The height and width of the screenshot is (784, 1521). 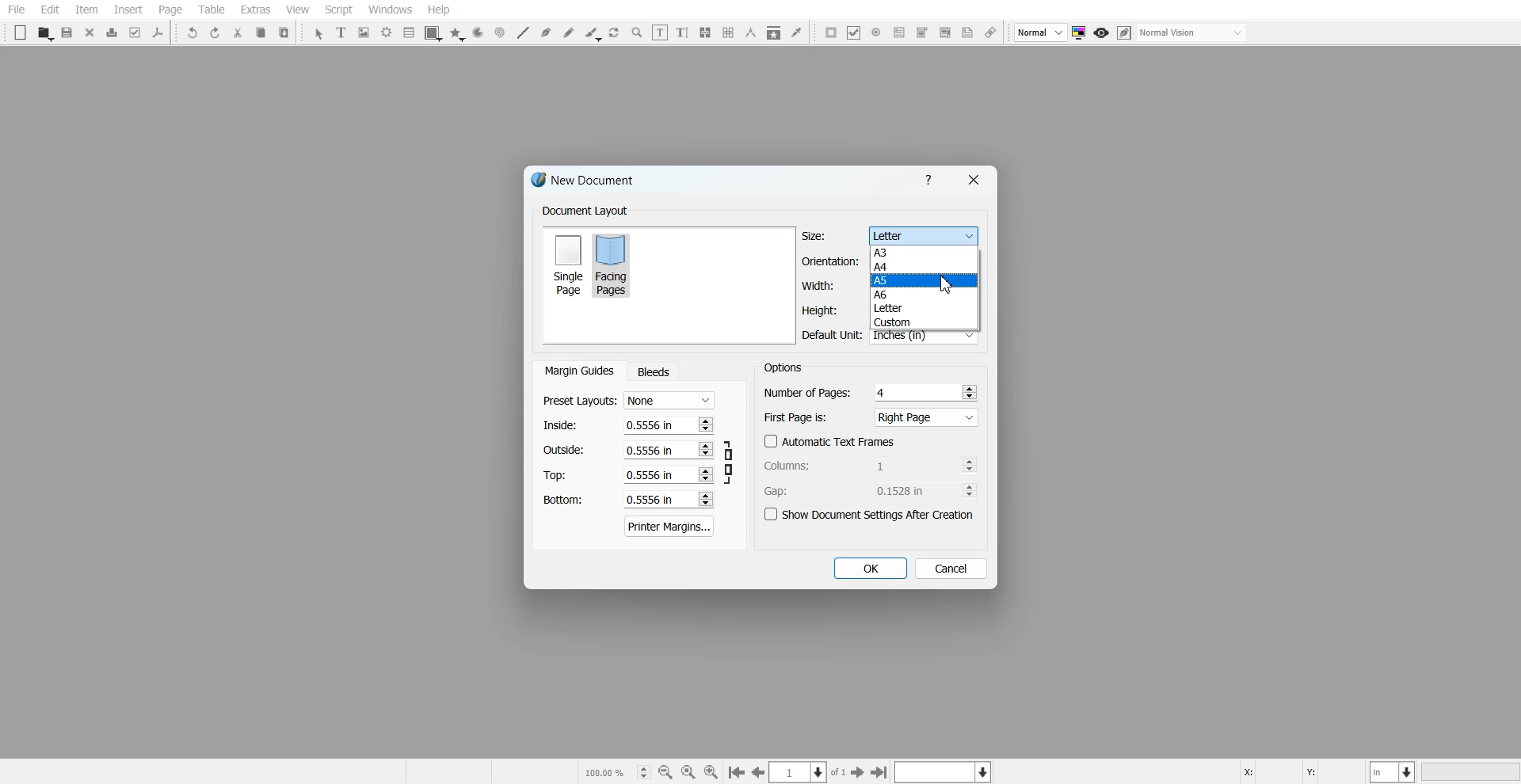 I want to click on Column adjuster, so click(x=871, y=465).